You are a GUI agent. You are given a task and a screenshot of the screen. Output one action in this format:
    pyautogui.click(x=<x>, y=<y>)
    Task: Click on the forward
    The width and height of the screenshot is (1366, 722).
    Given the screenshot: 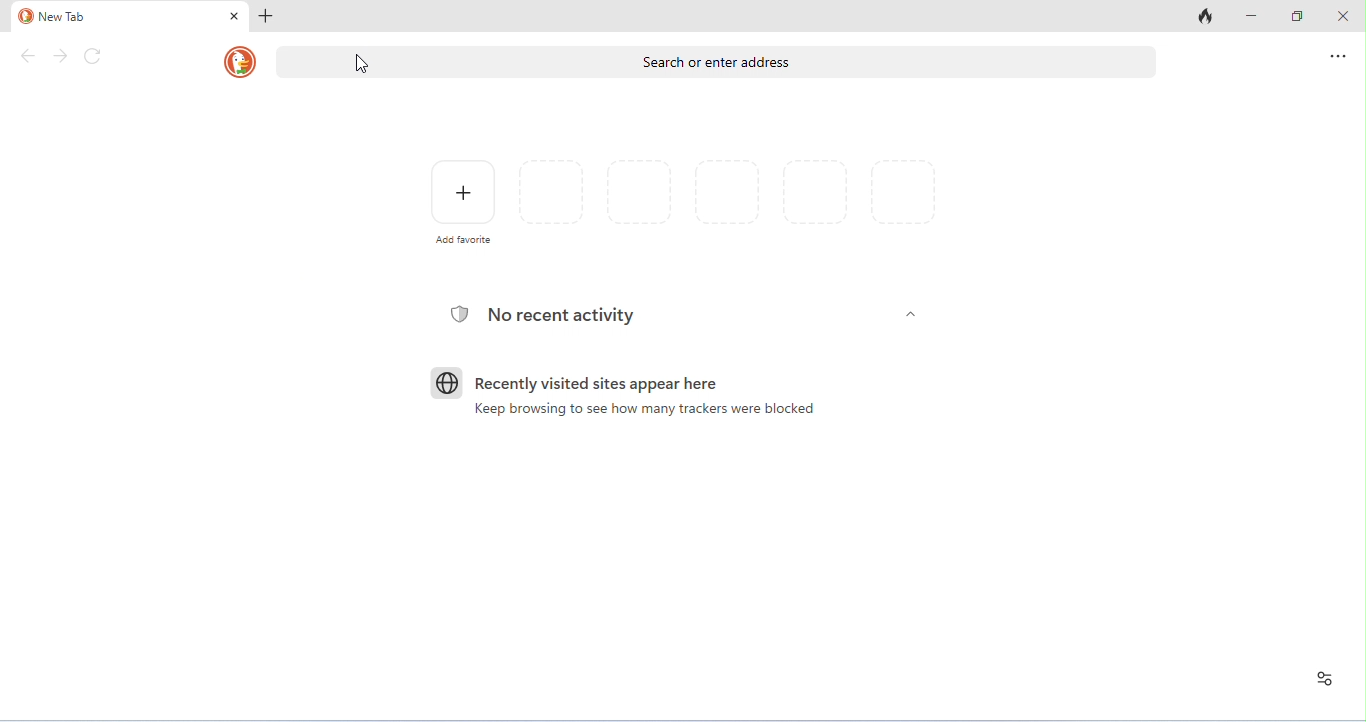 What is the action you would take?
    pyautogui.click(x=62, y=55)
    